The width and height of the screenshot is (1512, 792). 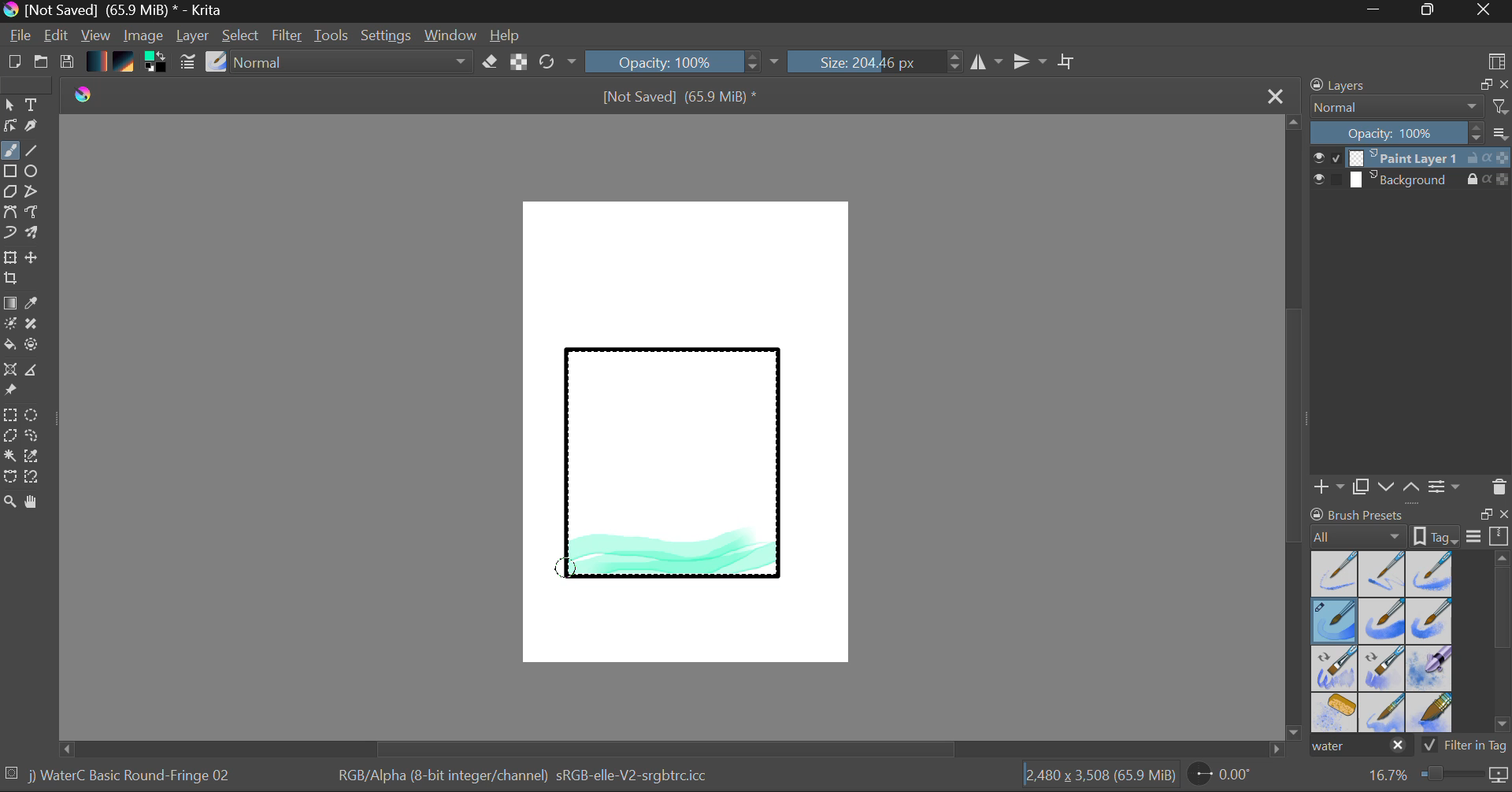 What do you see at coordinates (1431, 11) in the screenshot?
I see `Minimize` at bounding box center [1431, 11].